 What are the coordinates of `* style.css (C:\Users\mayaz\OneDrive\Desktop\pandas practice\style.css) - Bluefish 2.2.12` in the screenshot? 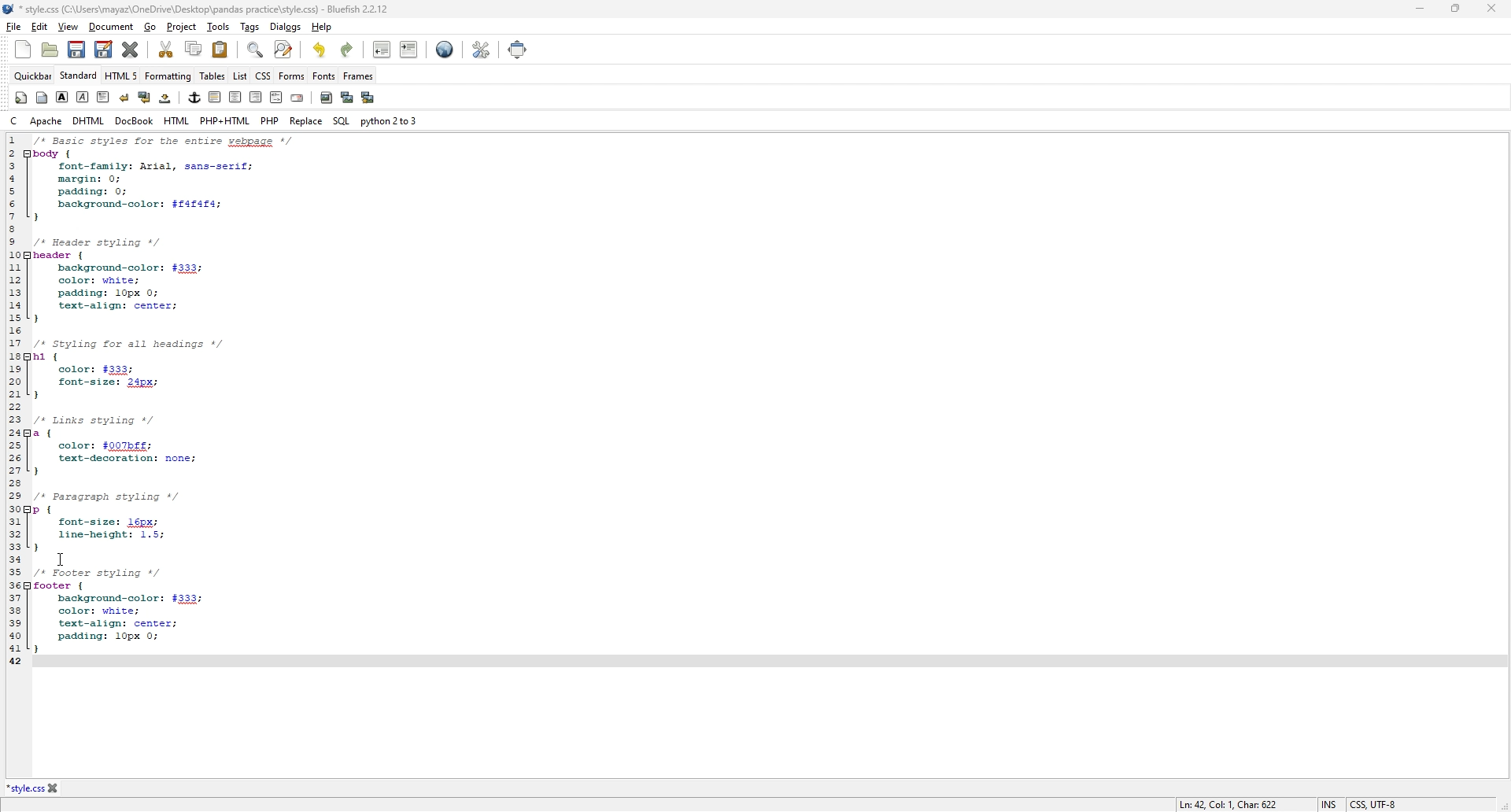 It's located at (201, 9).